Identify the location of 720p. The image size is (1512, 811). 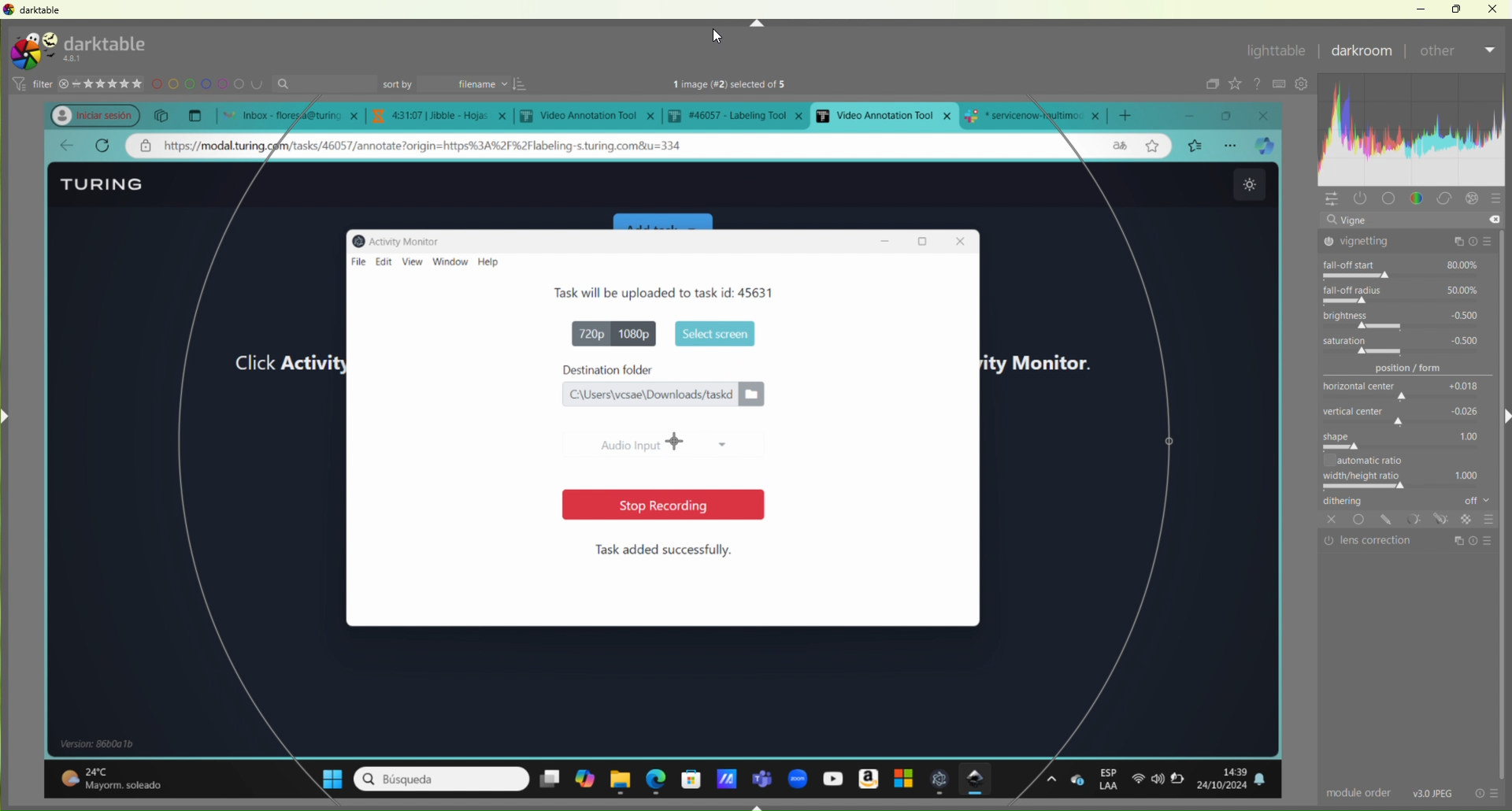
(584, 332).